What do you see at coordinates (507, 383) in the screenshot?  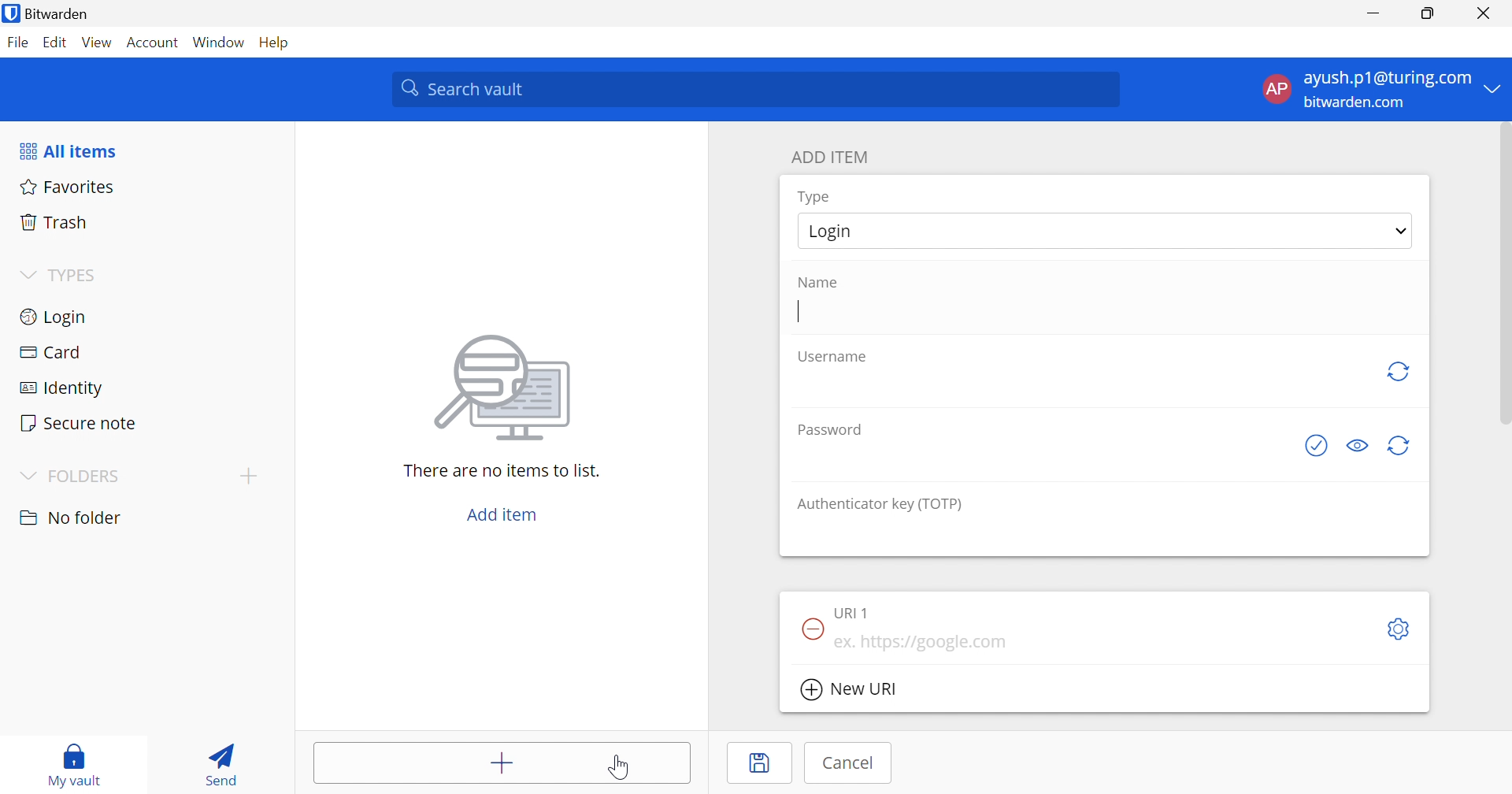 I see `image` at bounding box center [507, 383].